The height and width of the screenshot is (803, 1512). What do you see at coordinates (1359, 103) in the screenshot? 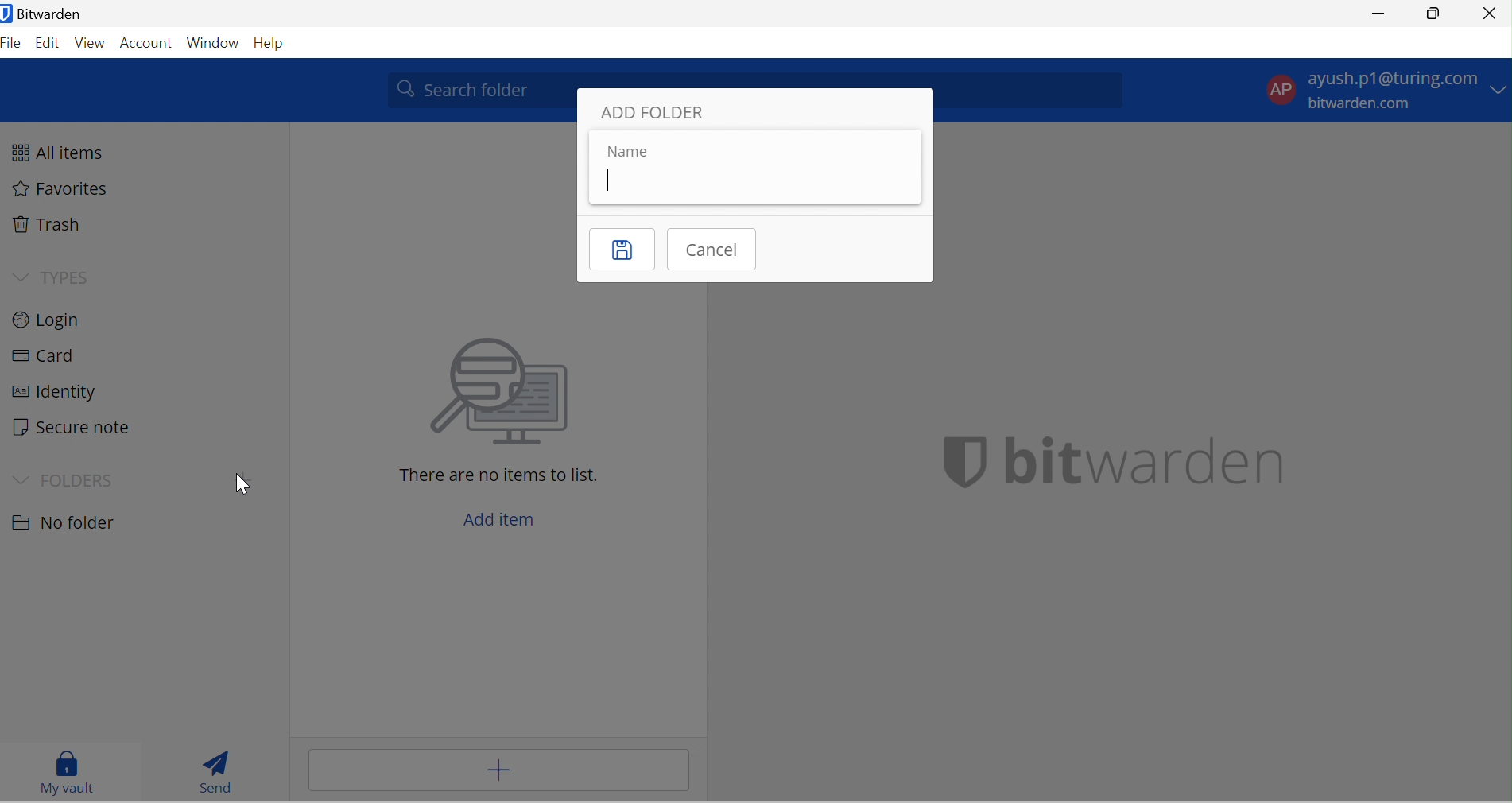
I see `bitwarden.com` at bounding box center [1359, 103].